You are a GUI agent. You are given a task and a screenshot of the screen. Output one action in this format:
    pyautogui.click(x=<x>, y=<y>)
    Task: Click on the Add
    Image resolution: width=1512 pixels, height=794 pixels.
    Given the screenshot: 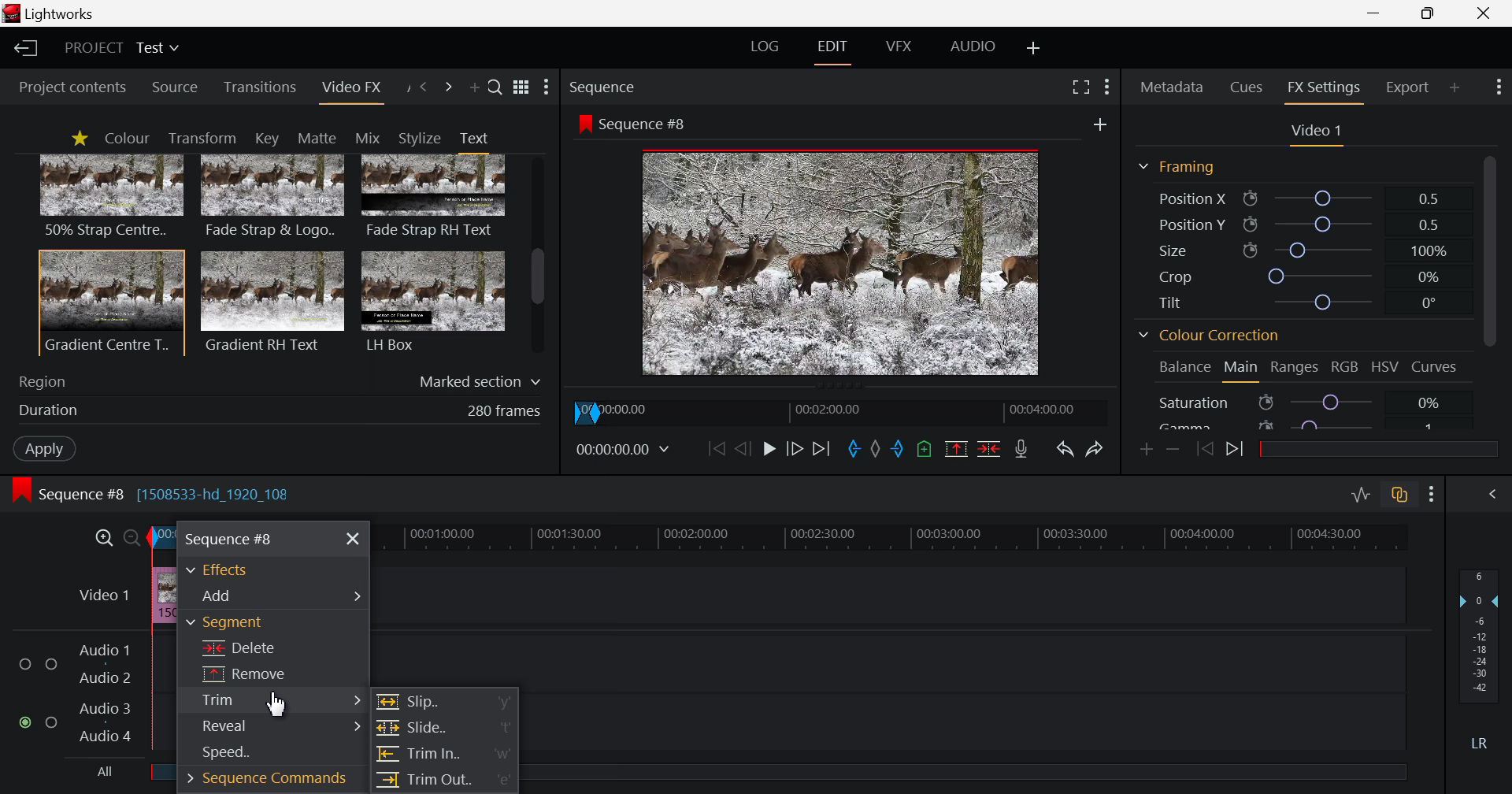 What is the action you would take?
    pyautogui.click(x=273, y=595)
    